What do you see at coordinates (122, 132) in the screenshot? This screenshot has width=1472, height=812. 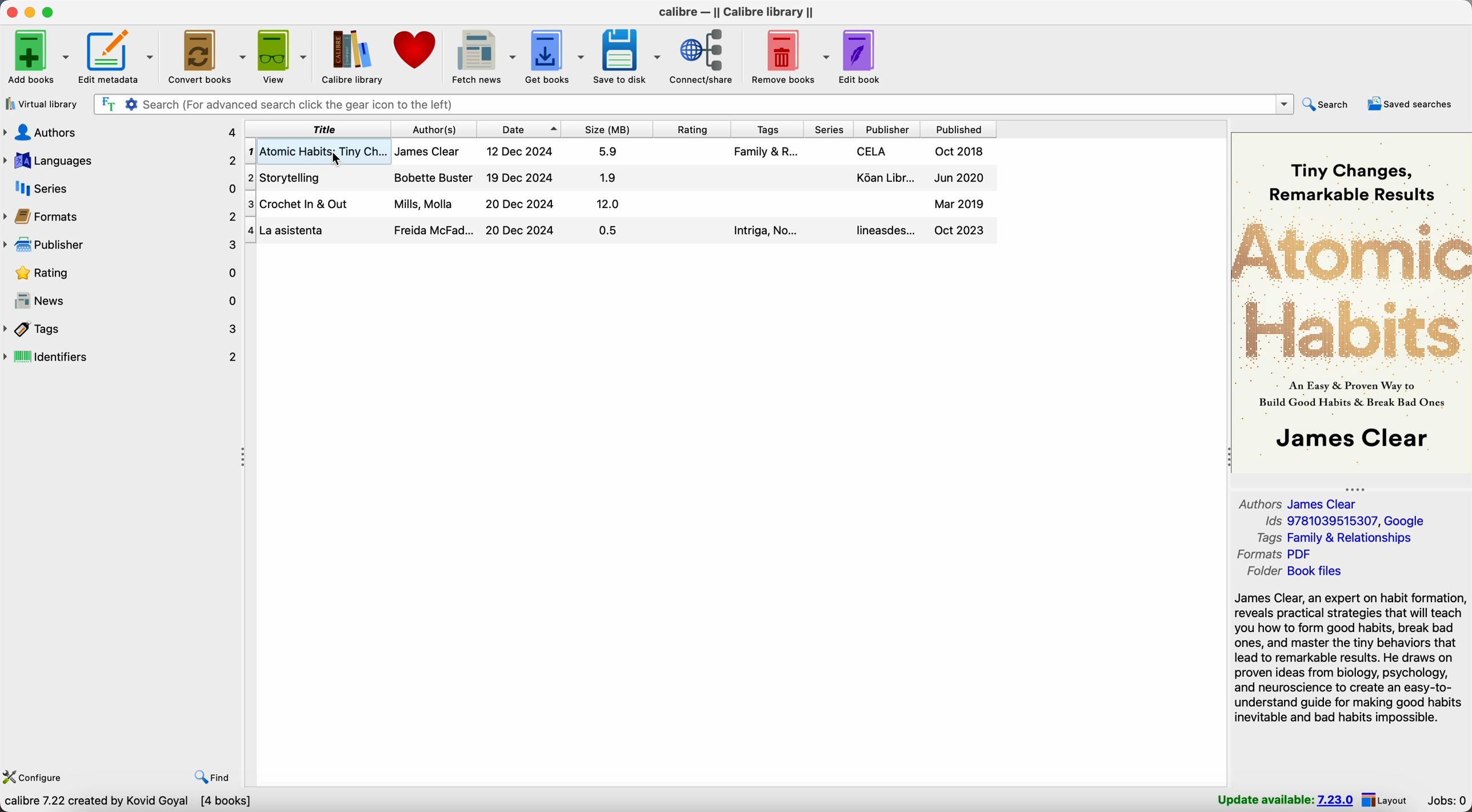 I see `authors` at bounding box center [122, 132].